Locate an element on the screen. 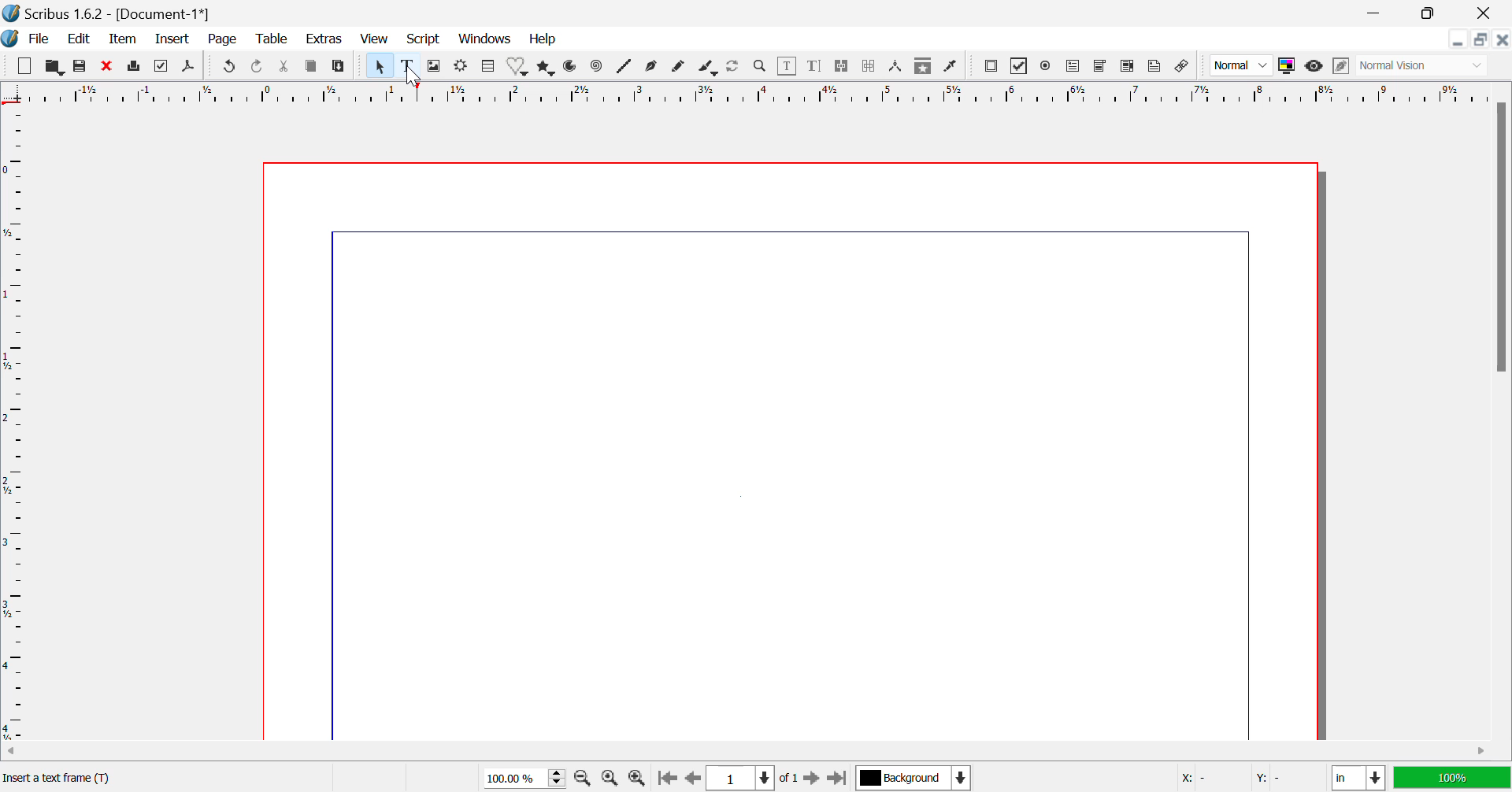 This screenshot has width=1512, height=792. Measurements is located at coordinates (899, 67).